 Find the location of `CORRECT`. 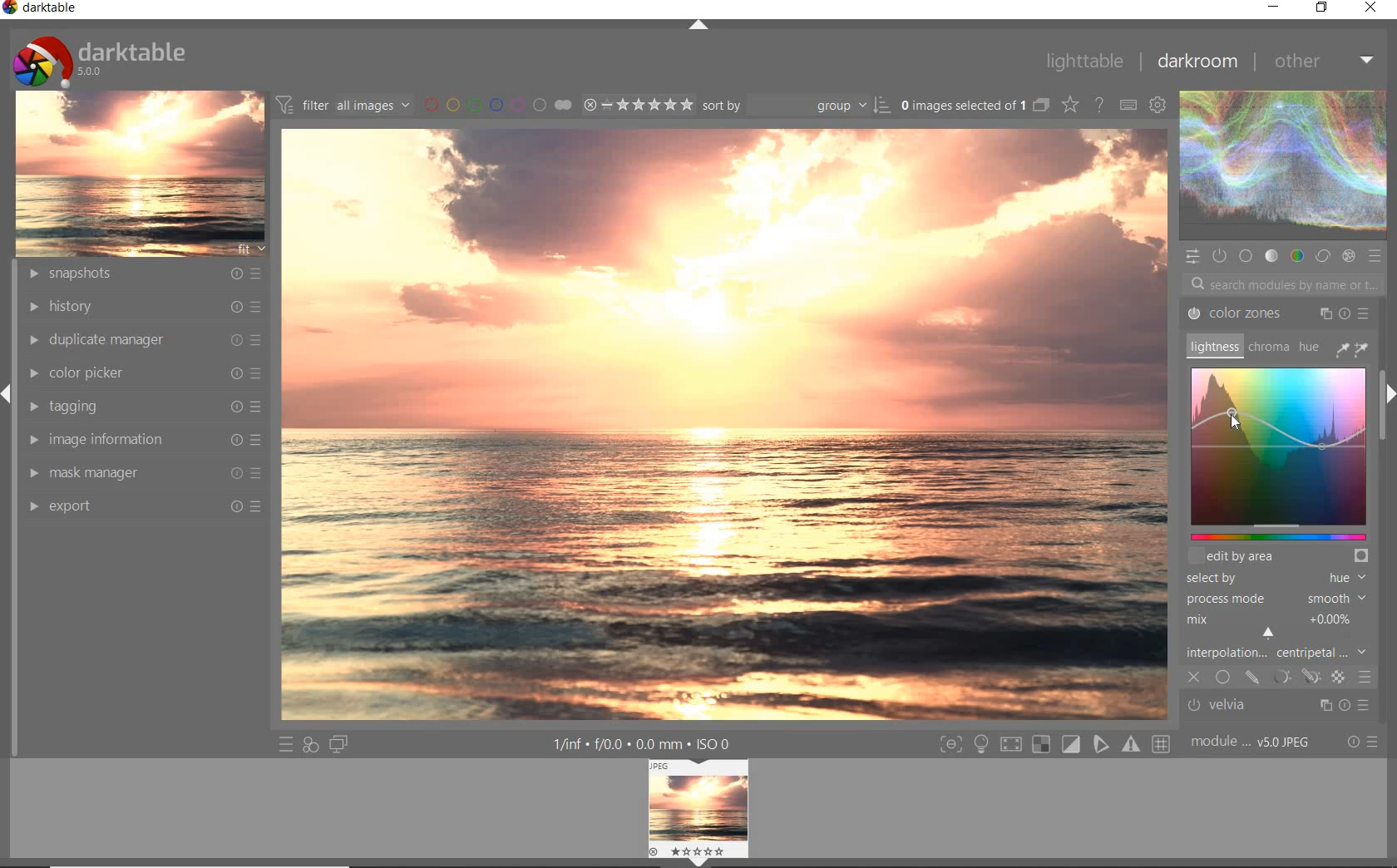

CORRECT is located at coordinates (1323, 257).